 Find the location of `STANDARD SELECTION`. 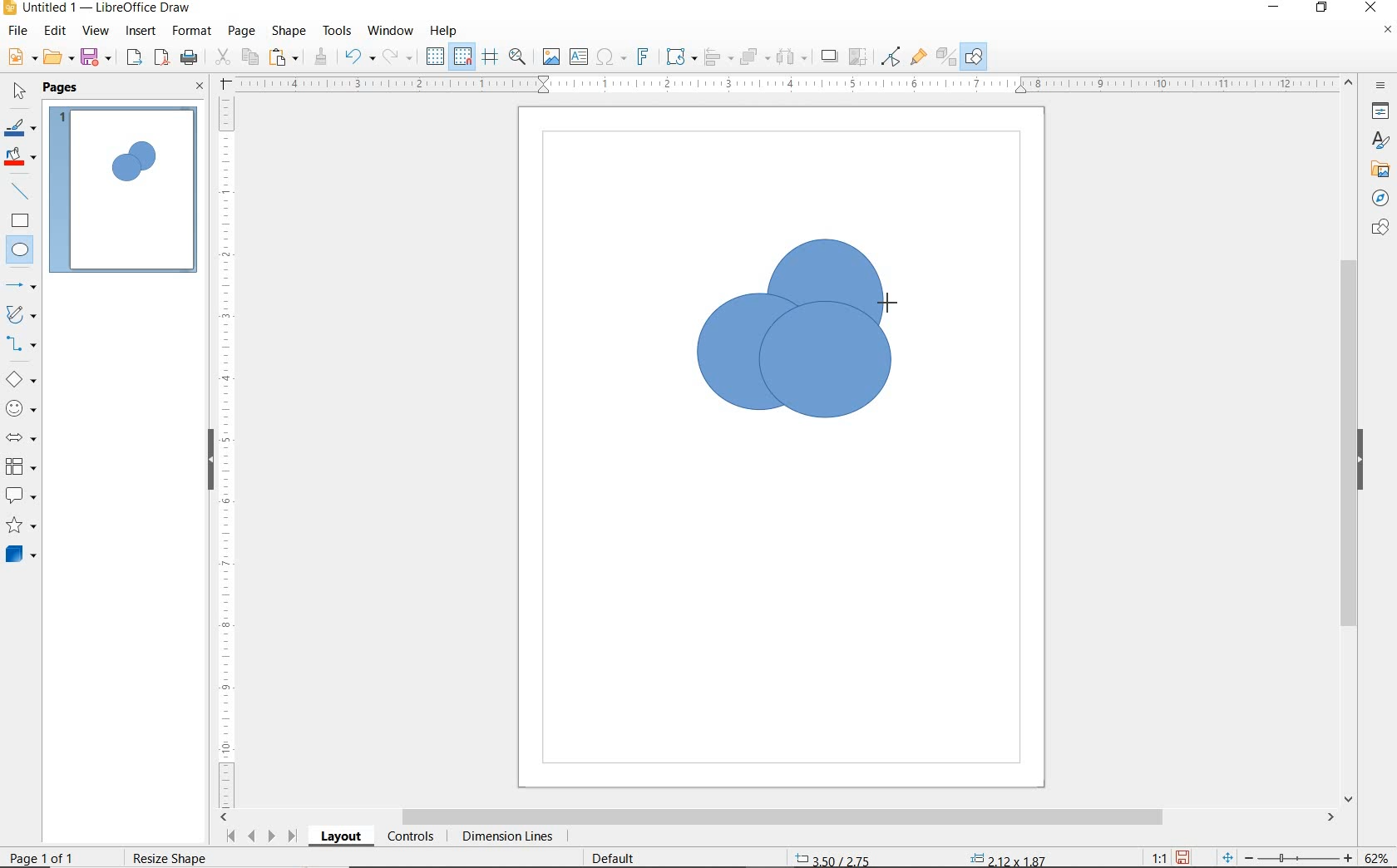

STANDARD SELECTION is located at coordinates (921, 854).